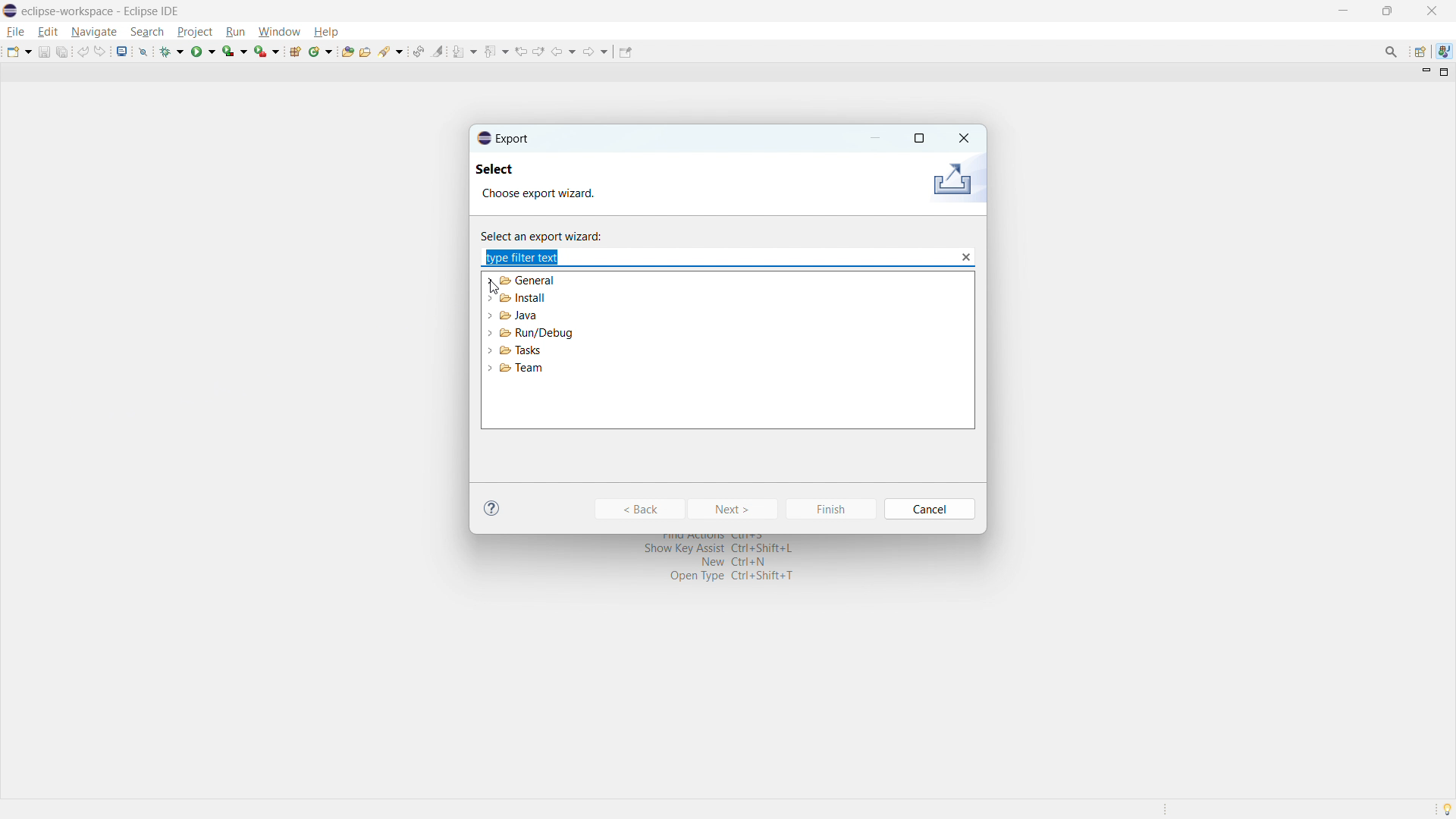 The height and width of the screenshot is (819, 1456). Describe the element at coordinates (951, 180) in the screenshot. I see `logo` at that location.